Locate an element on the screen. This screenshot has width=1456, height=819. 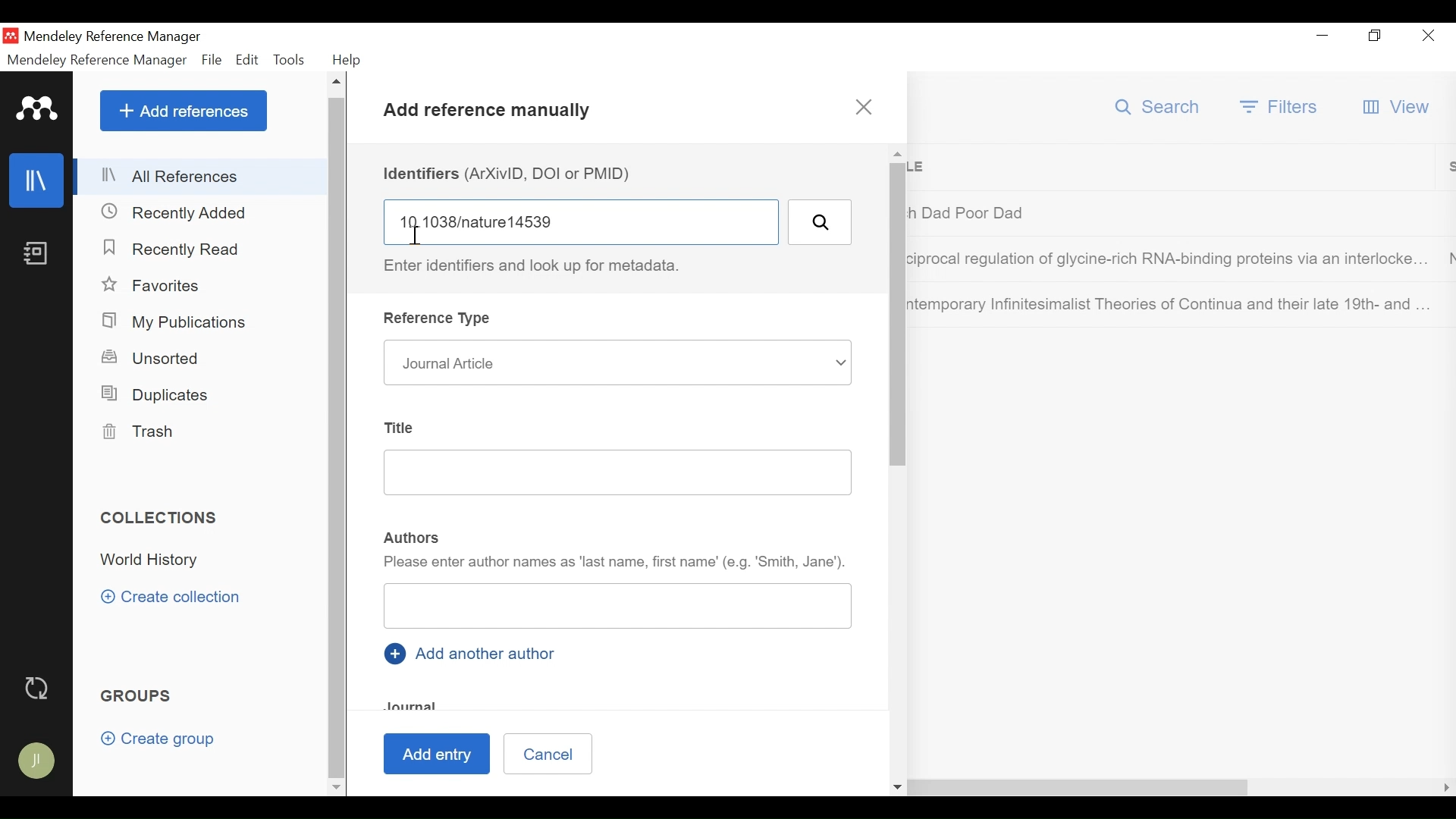
Please enter author as last name, first name is located at coordinates (616, 563).